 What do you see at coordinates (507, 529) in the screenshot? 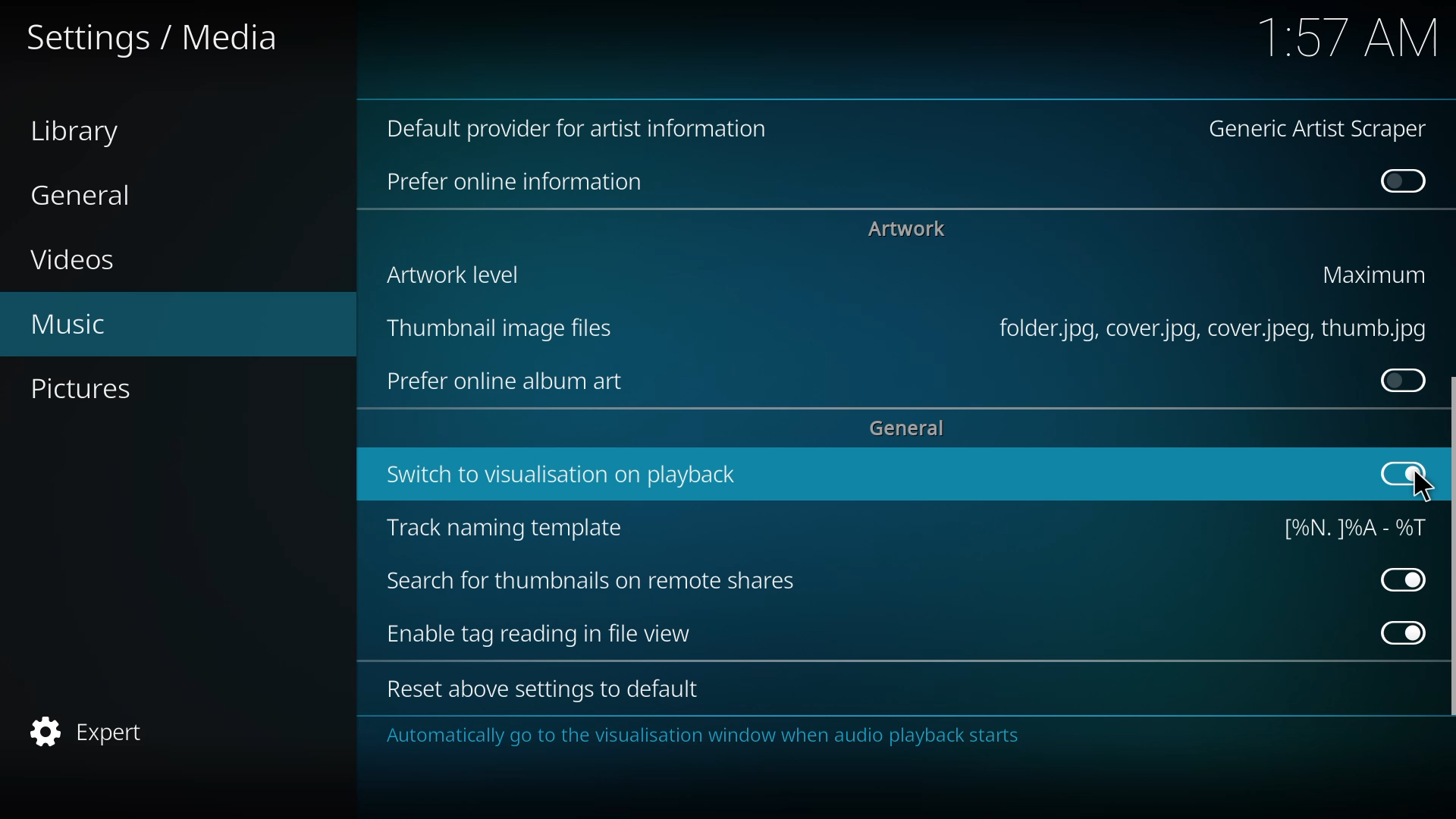
I see `track naming template` at bounding box center [507, 529].